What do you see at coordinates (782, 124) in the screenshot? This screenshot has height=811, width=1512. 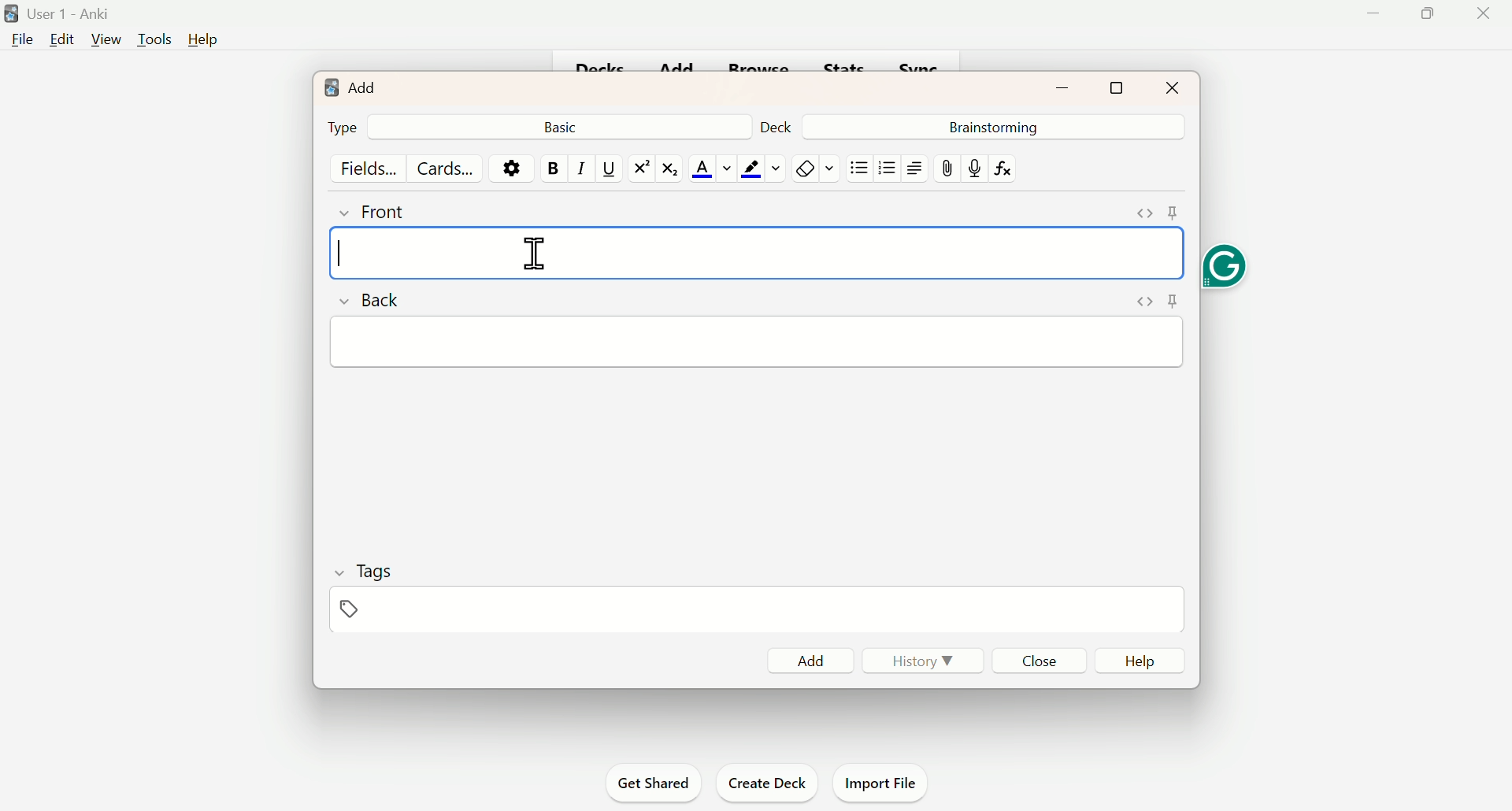 I see `Deck` at bounding box center [782, 124].